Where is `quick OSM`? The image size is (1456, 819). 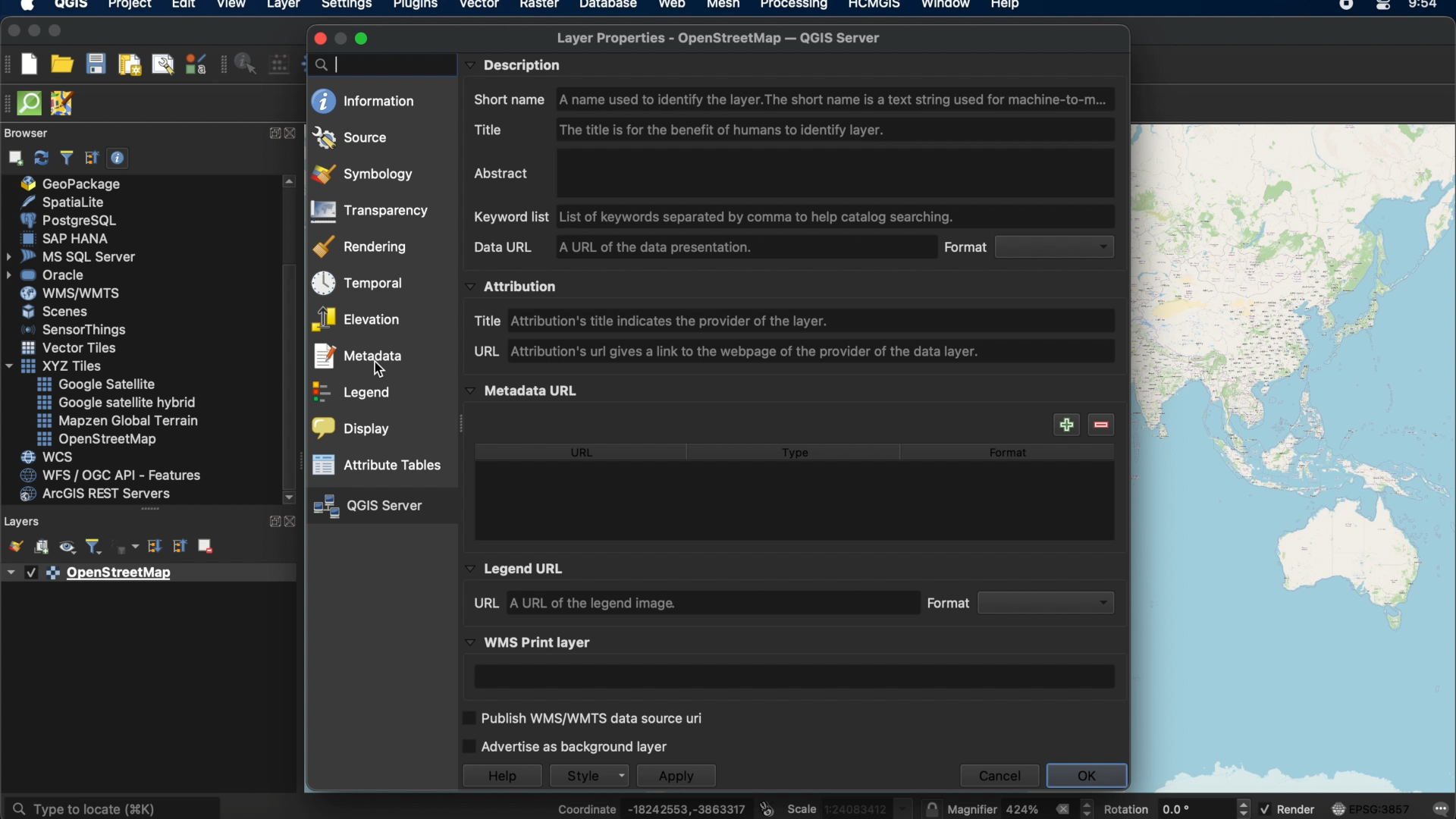 quick OSM is located at coordinates (30, 103).